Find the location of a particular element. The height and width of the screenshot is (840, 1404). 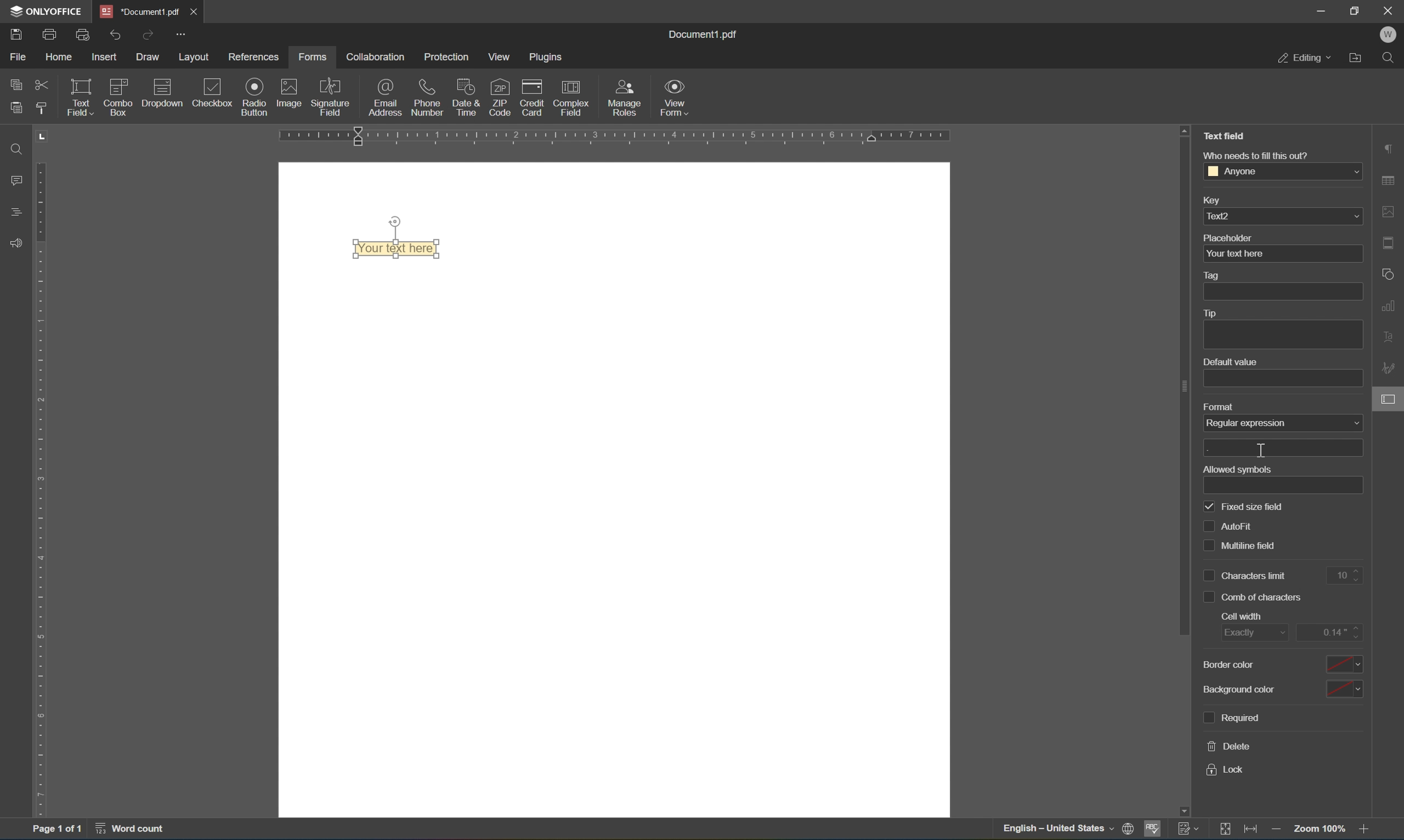

print preview is located at coordinates (82, 33).